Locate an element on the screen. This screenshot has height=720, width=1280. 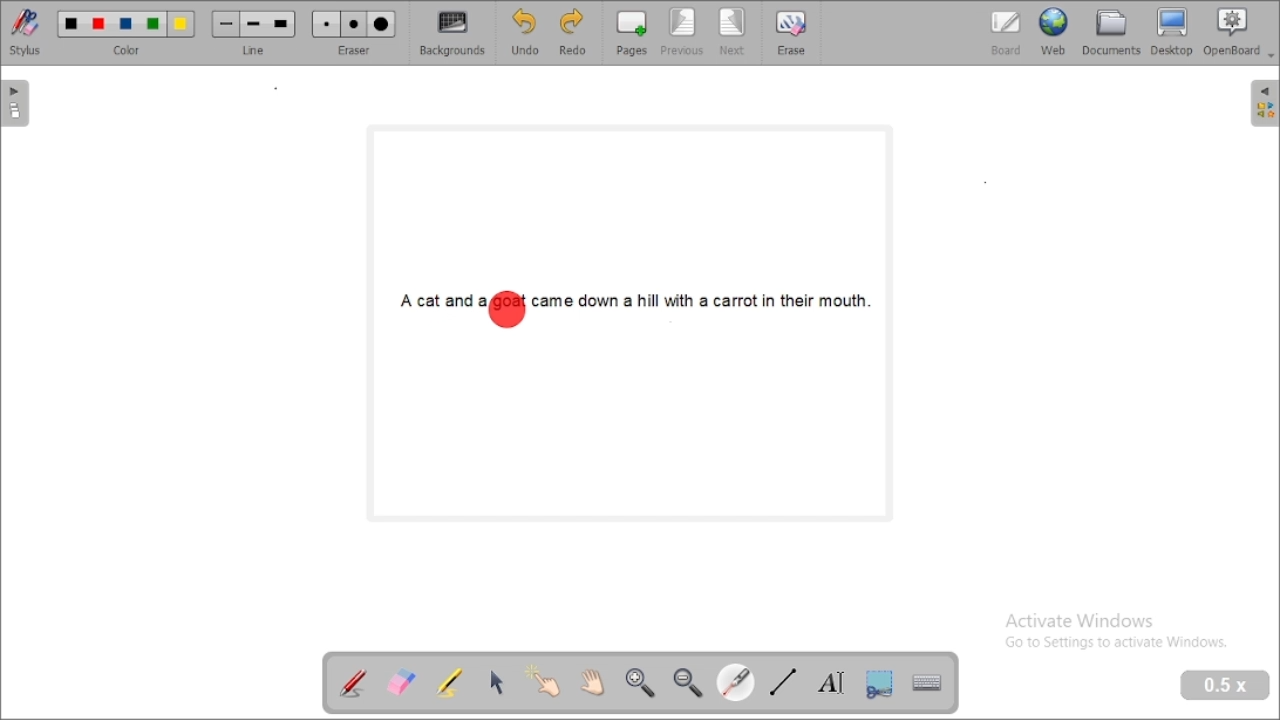
erase annotation is located at coordinates (402, 682).